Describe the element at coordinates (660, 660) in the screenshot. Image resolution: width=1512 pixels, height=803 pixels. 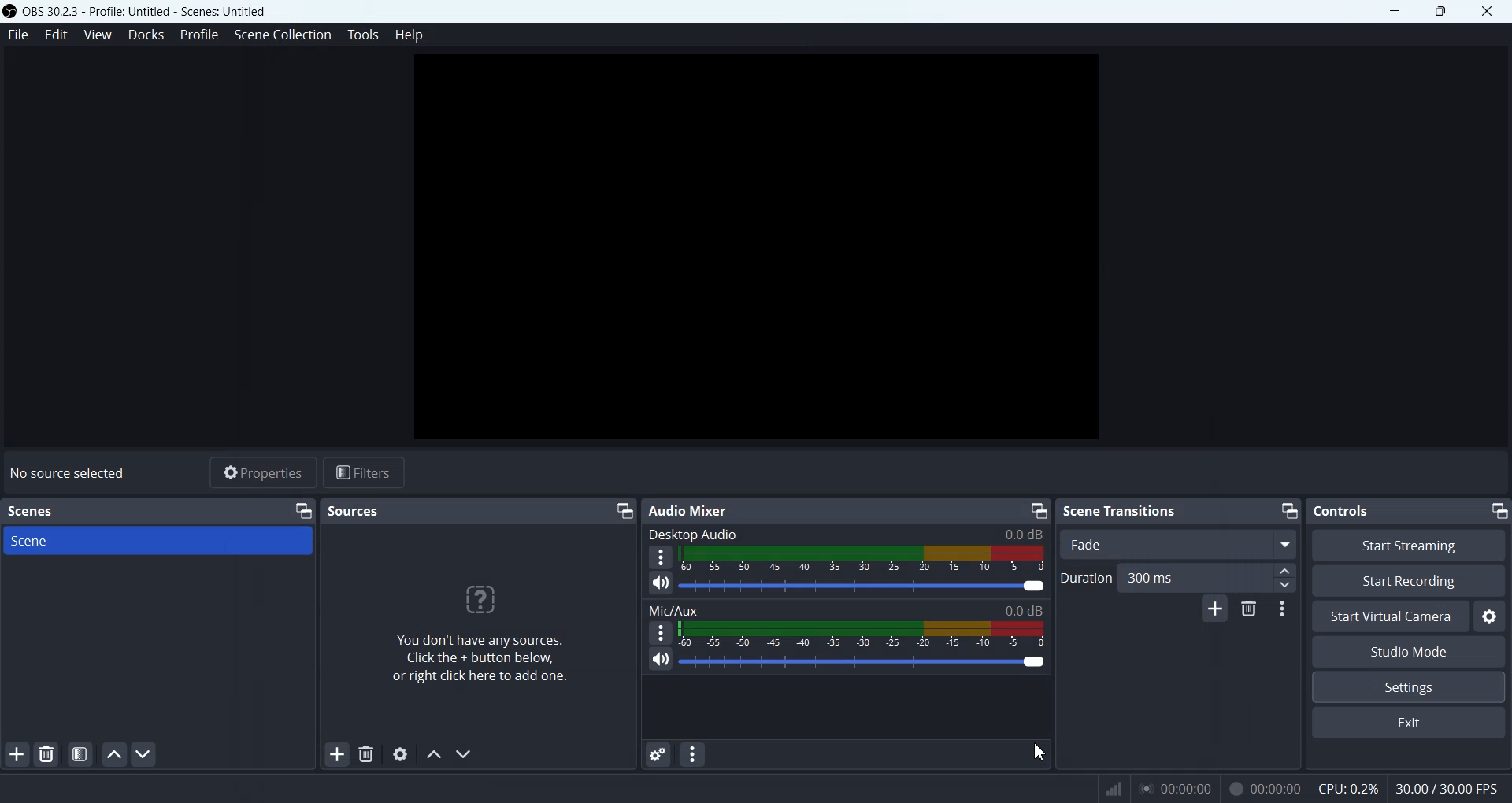
I see `Mute / Unmute` at that location.